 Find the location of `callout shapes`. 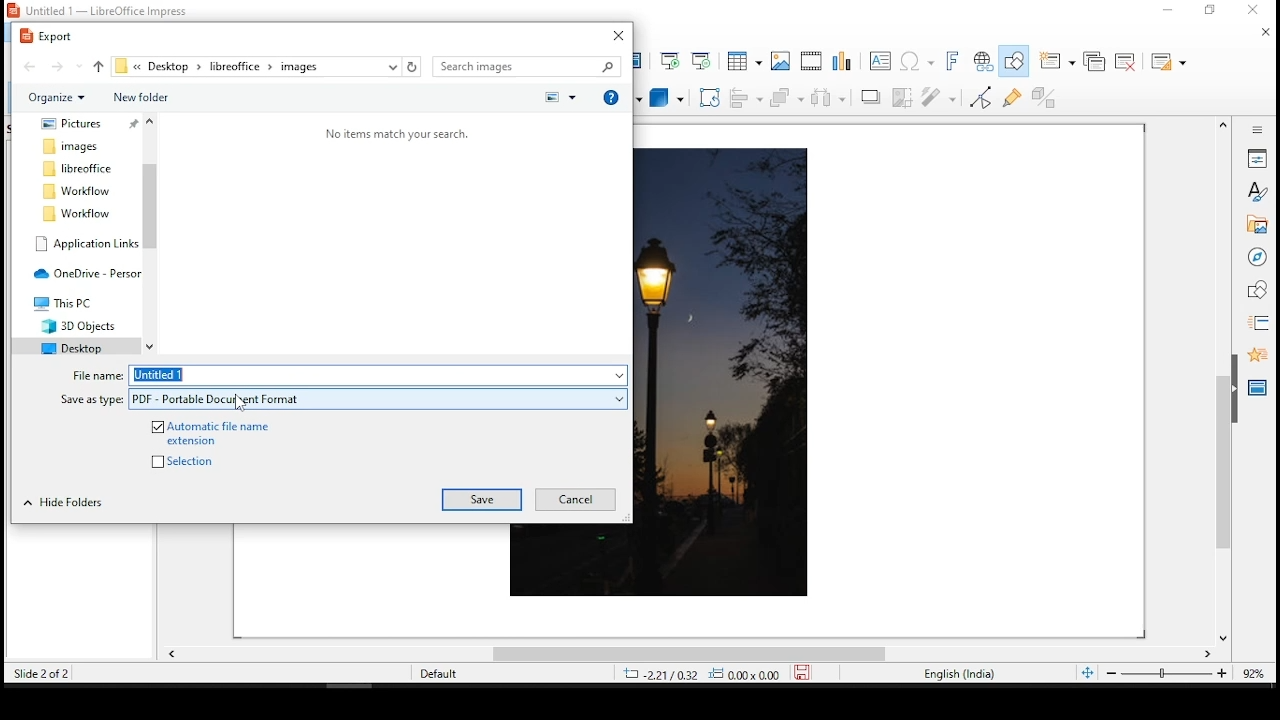

callout shapes is located at coordinates (583, 97).